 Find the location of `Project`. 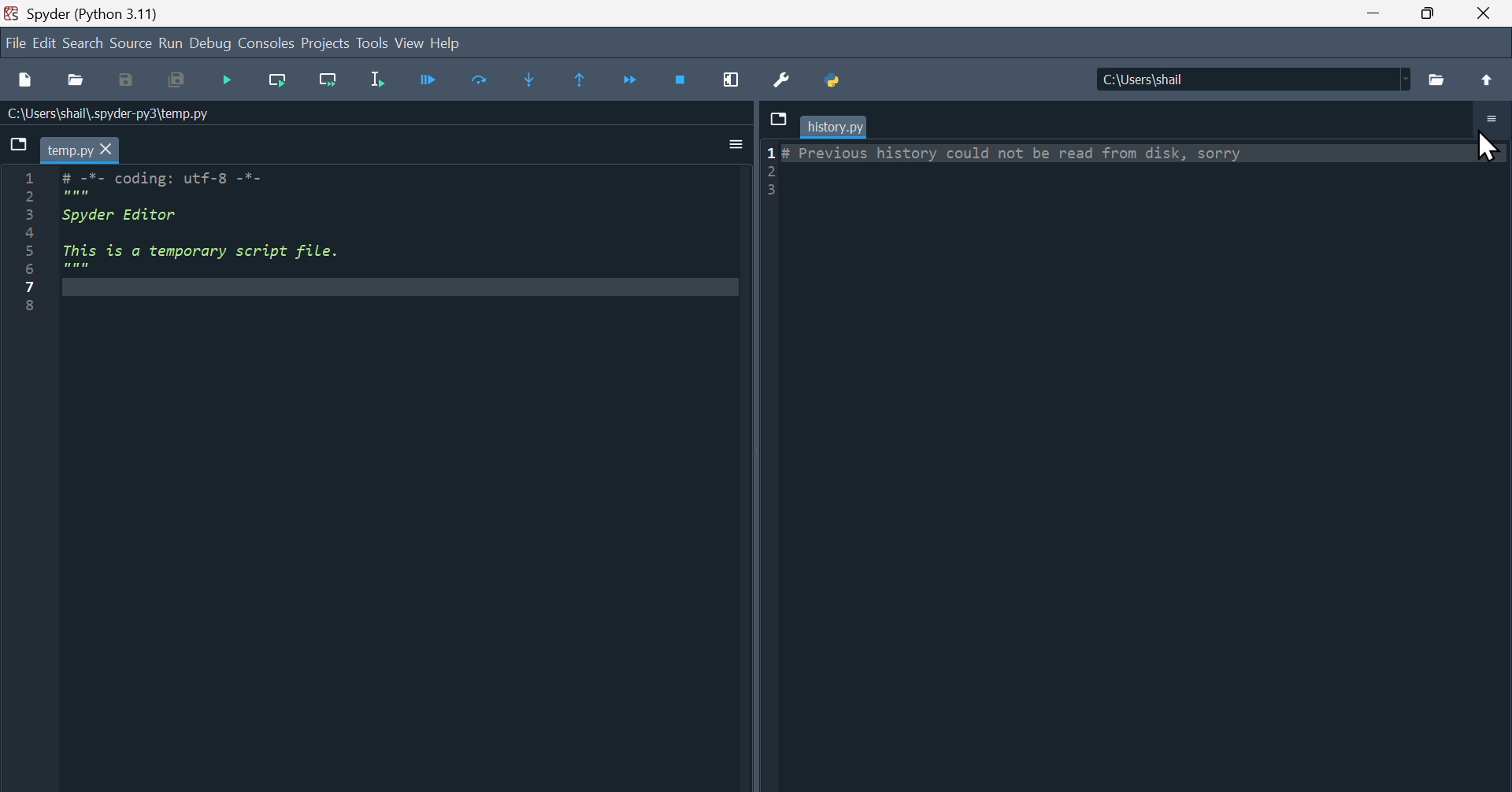

Project is located at coordinates (325, 43).